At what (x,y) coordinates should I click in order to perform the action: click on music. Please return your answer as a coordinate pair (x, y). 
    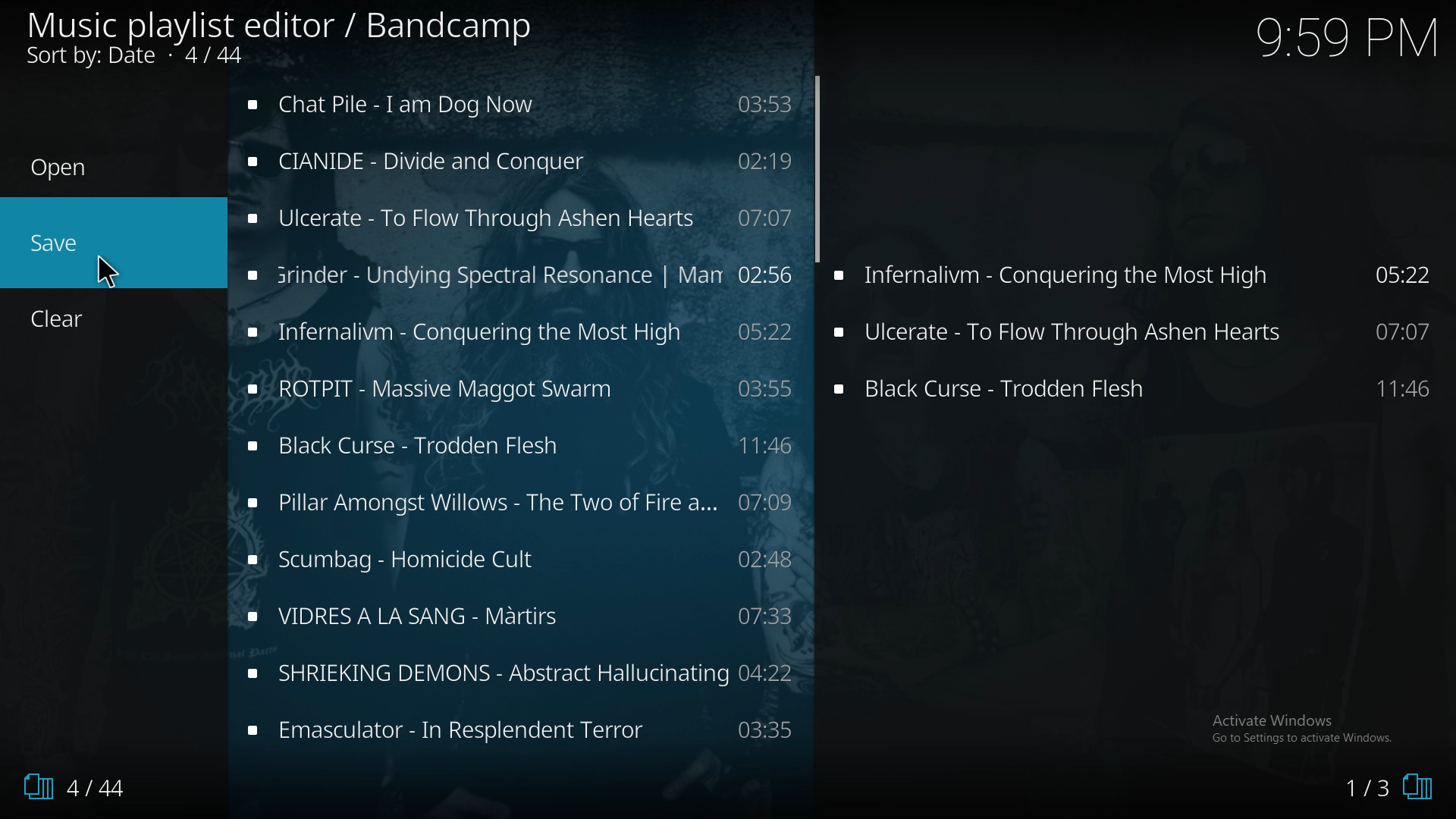
    Looking at the image, I should click on (520, 162).